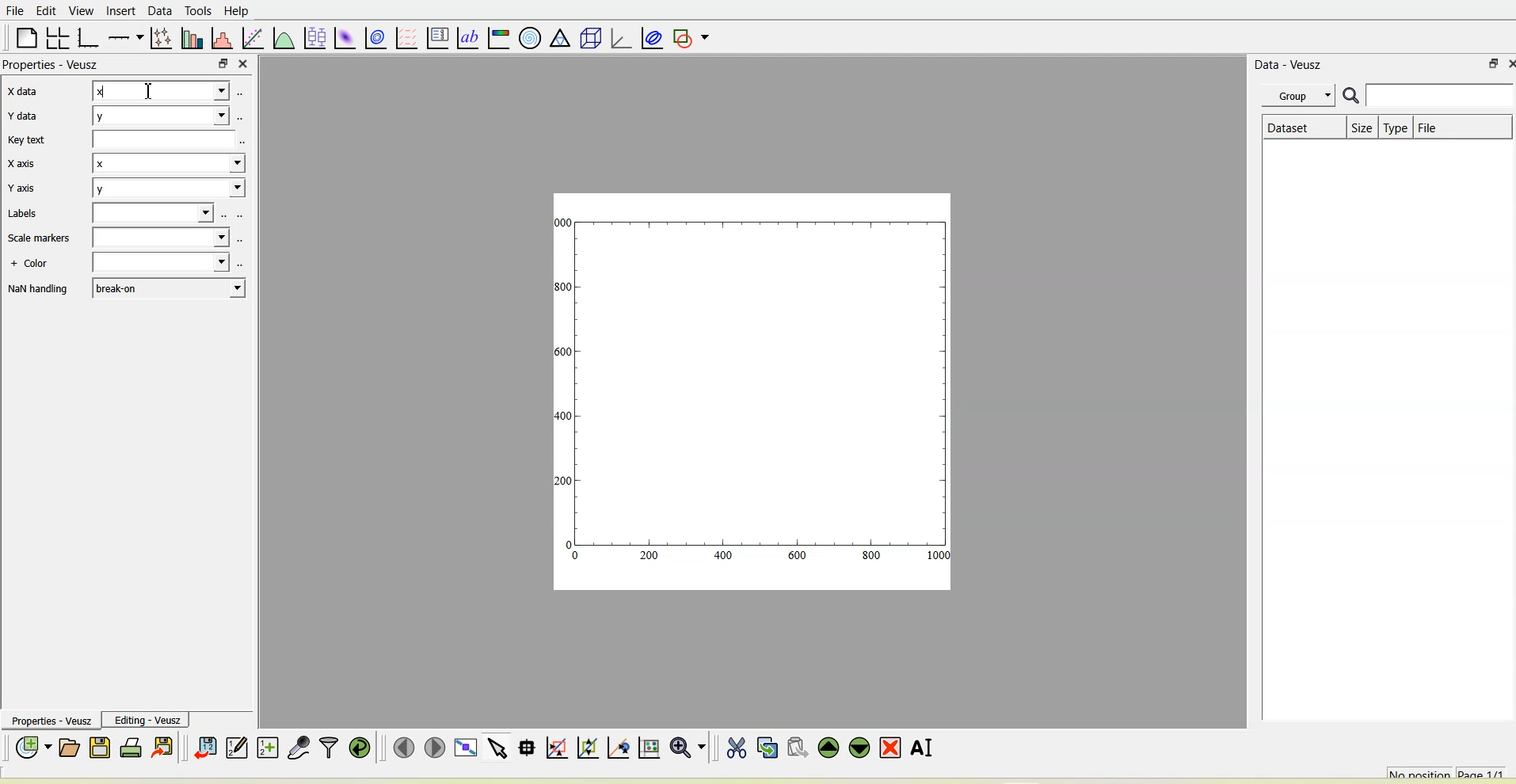  What do you see at coordinates (406, 37) in the screenshot?
I see `plot a vector field` at bounding box center [406, 37].